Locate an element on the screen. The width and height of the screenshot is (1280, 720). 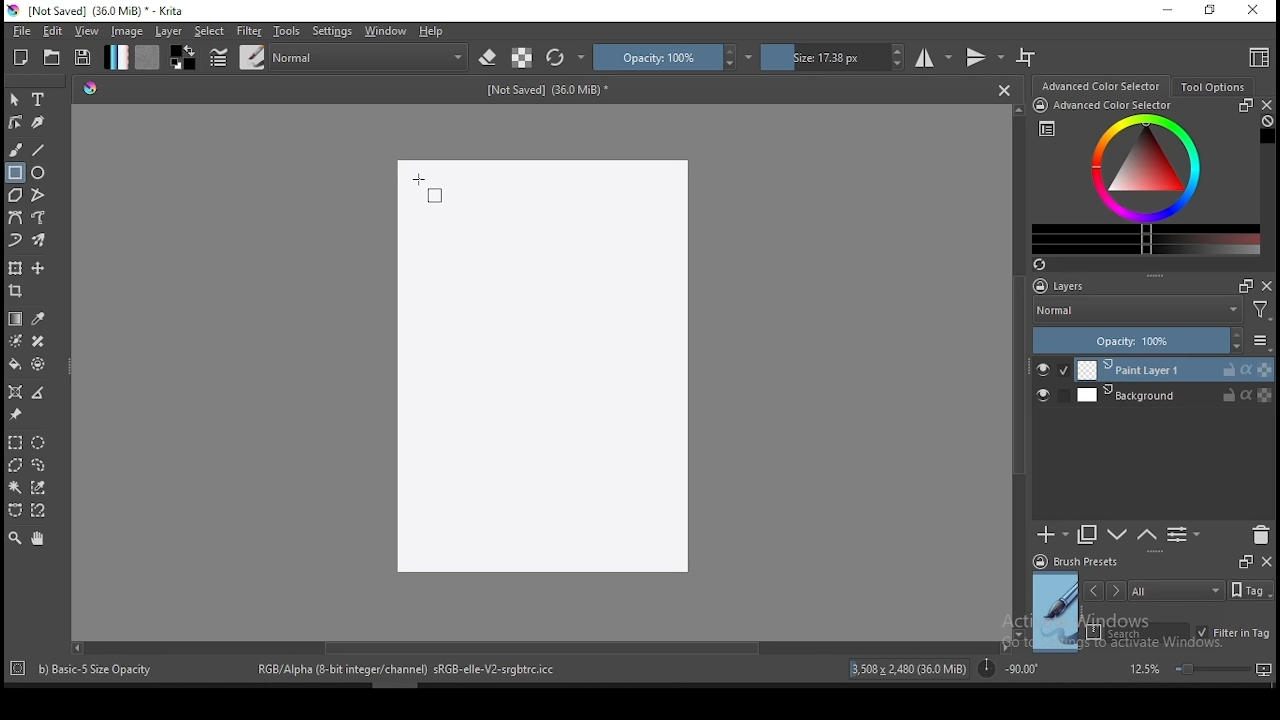
icon and file name is located at coordinates (99, 11).